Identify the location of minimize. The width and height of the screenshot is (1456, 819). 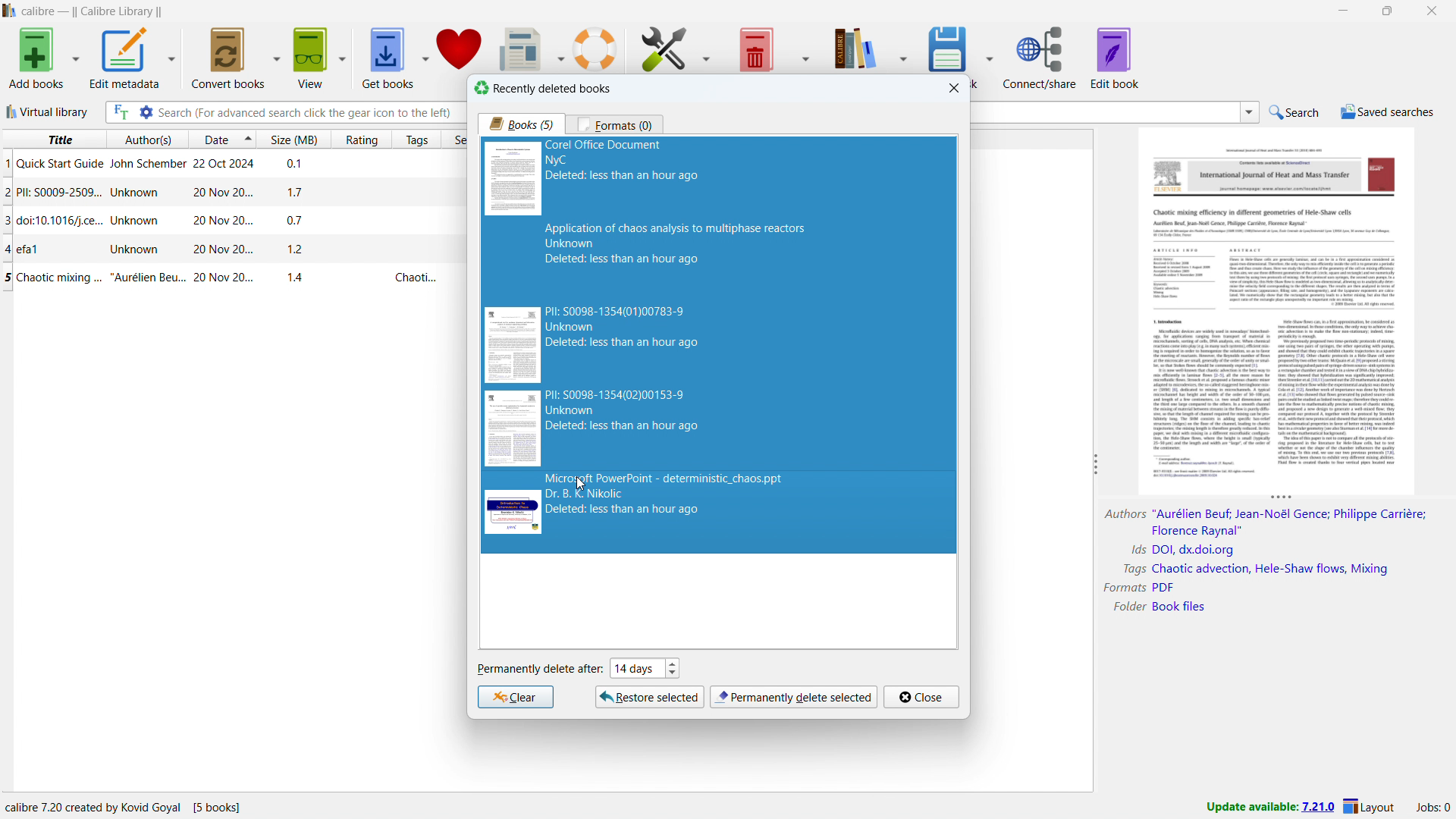
(1342, 11).